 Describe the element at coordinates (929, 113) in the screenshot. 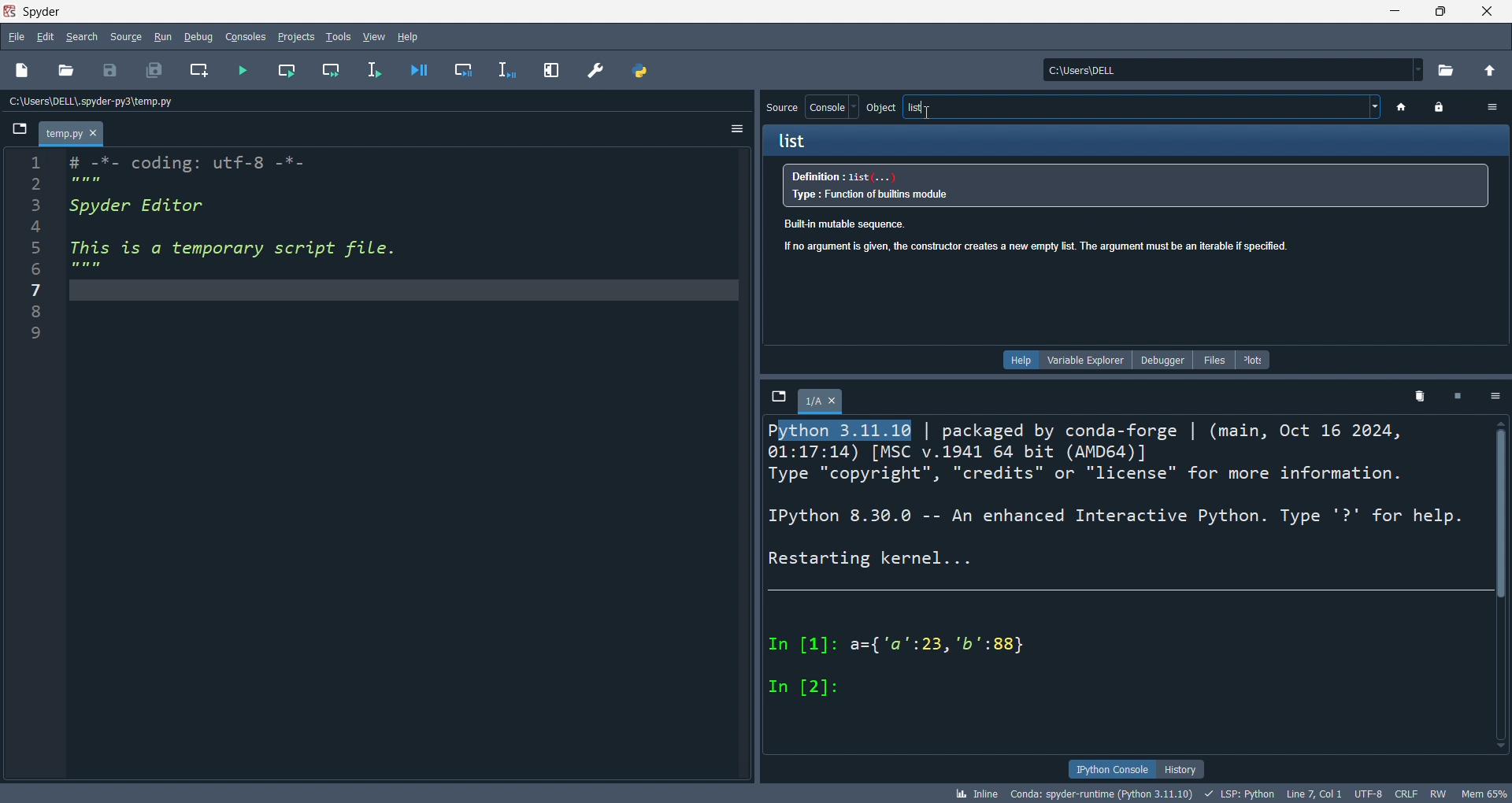

I see `cursor` at that location.